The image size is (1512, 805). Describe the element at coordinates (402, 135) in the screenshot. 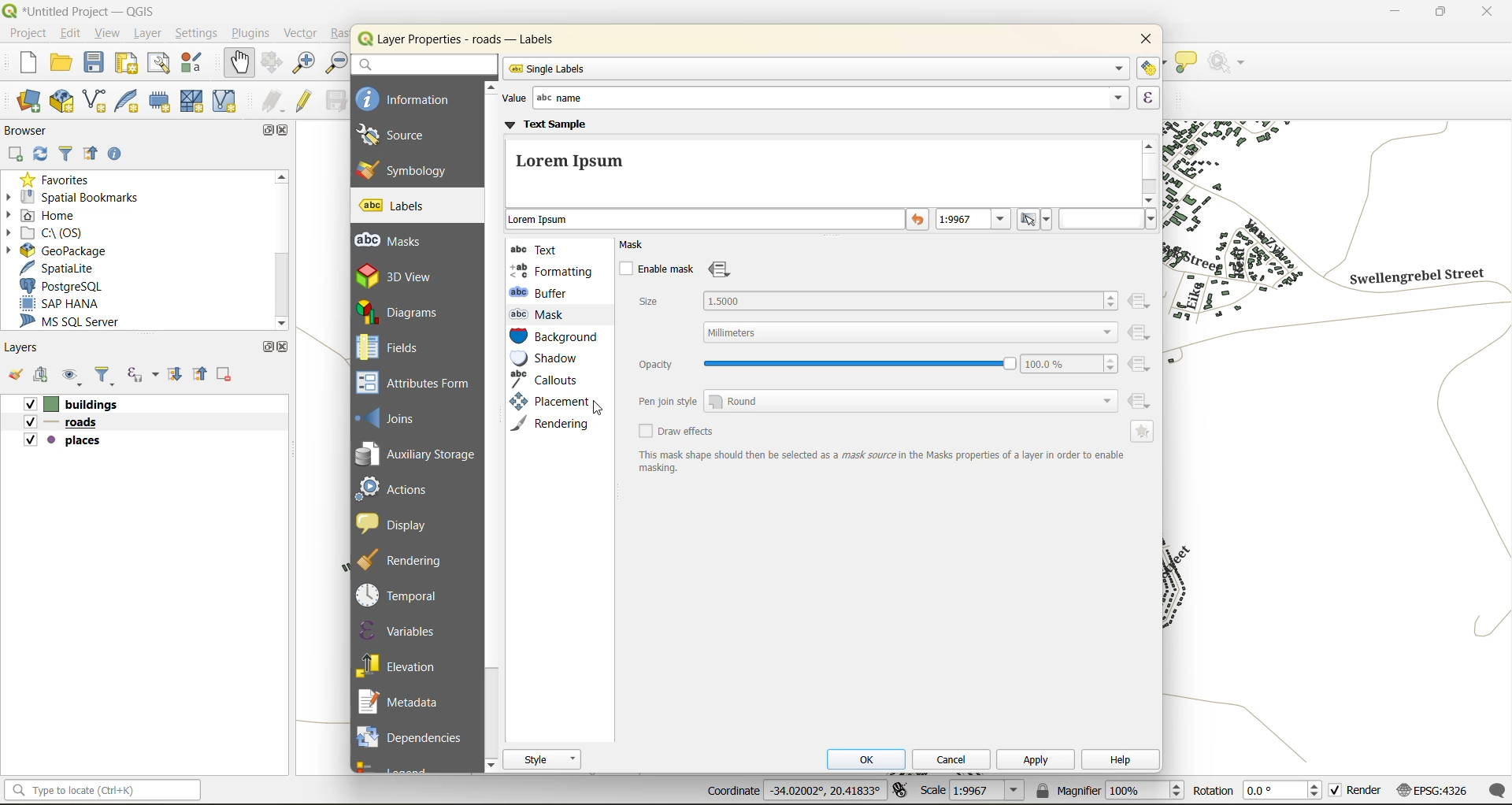

I see `source` at that location.